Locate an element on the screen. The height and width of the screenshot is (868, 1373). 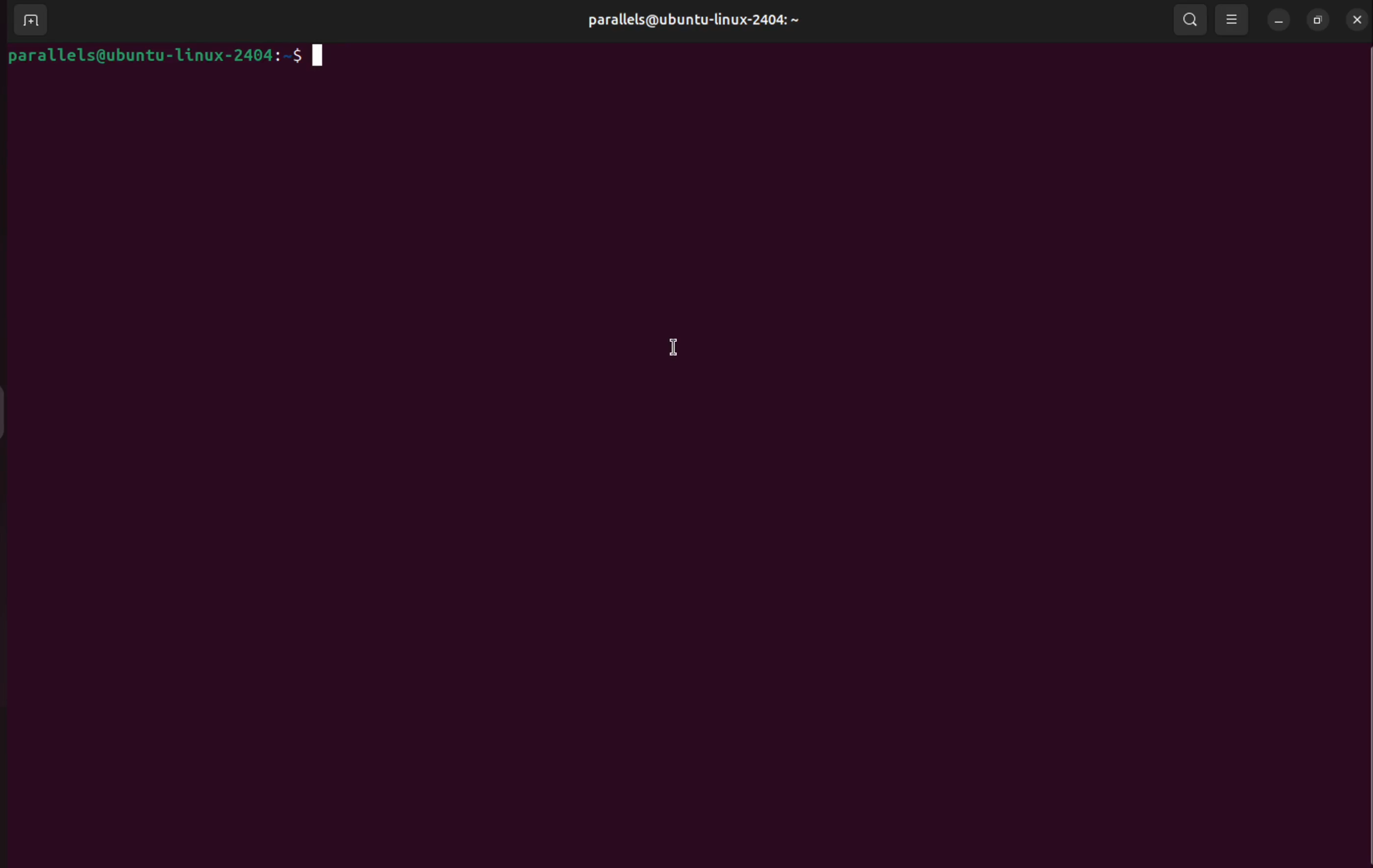
view options is located at coordinates (1235, 20).